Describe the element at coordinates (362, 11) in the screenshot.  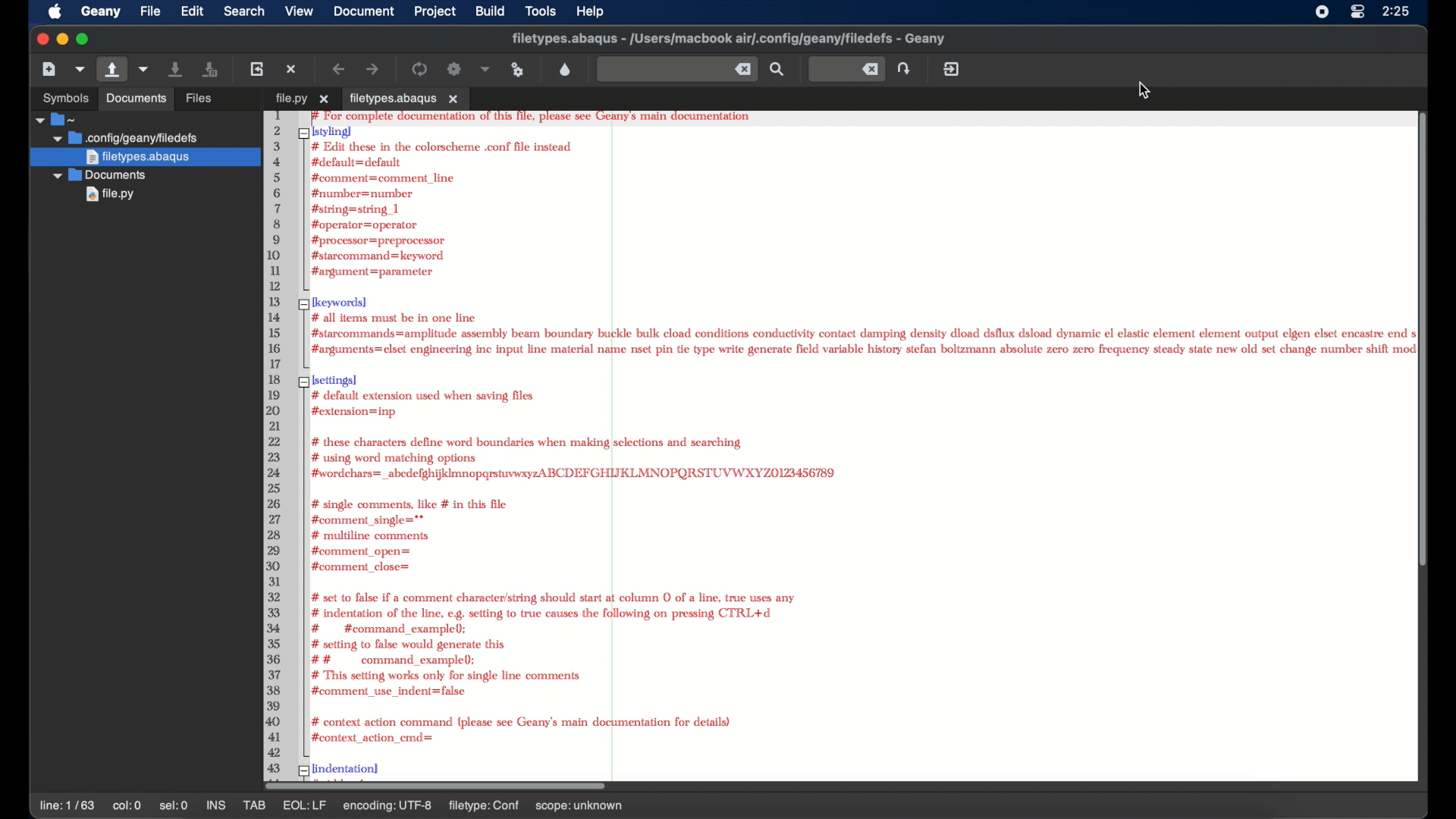
I see `document` at that location.